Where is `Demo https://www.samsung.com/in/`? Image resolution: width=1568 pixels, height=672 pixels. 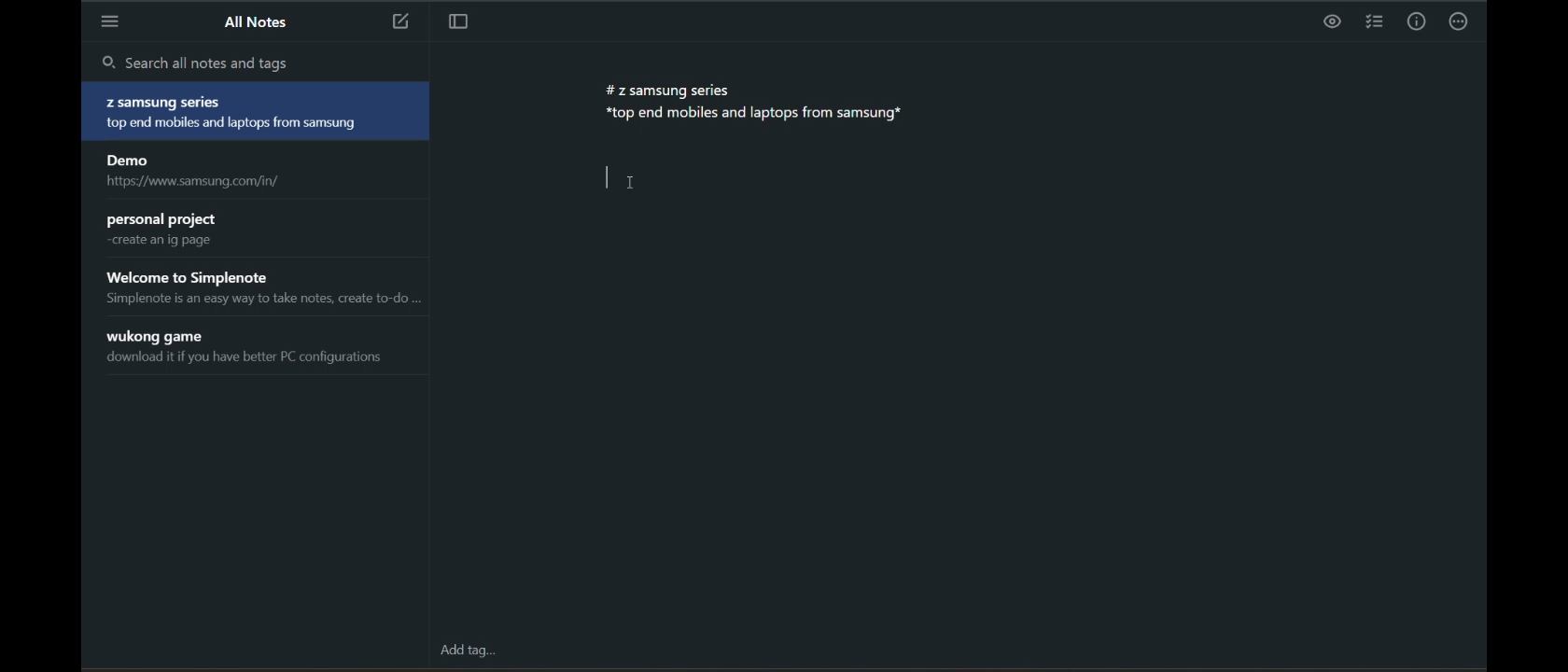
Demo https://www.samsung.com/in/ is located at coordinates (257, 172).